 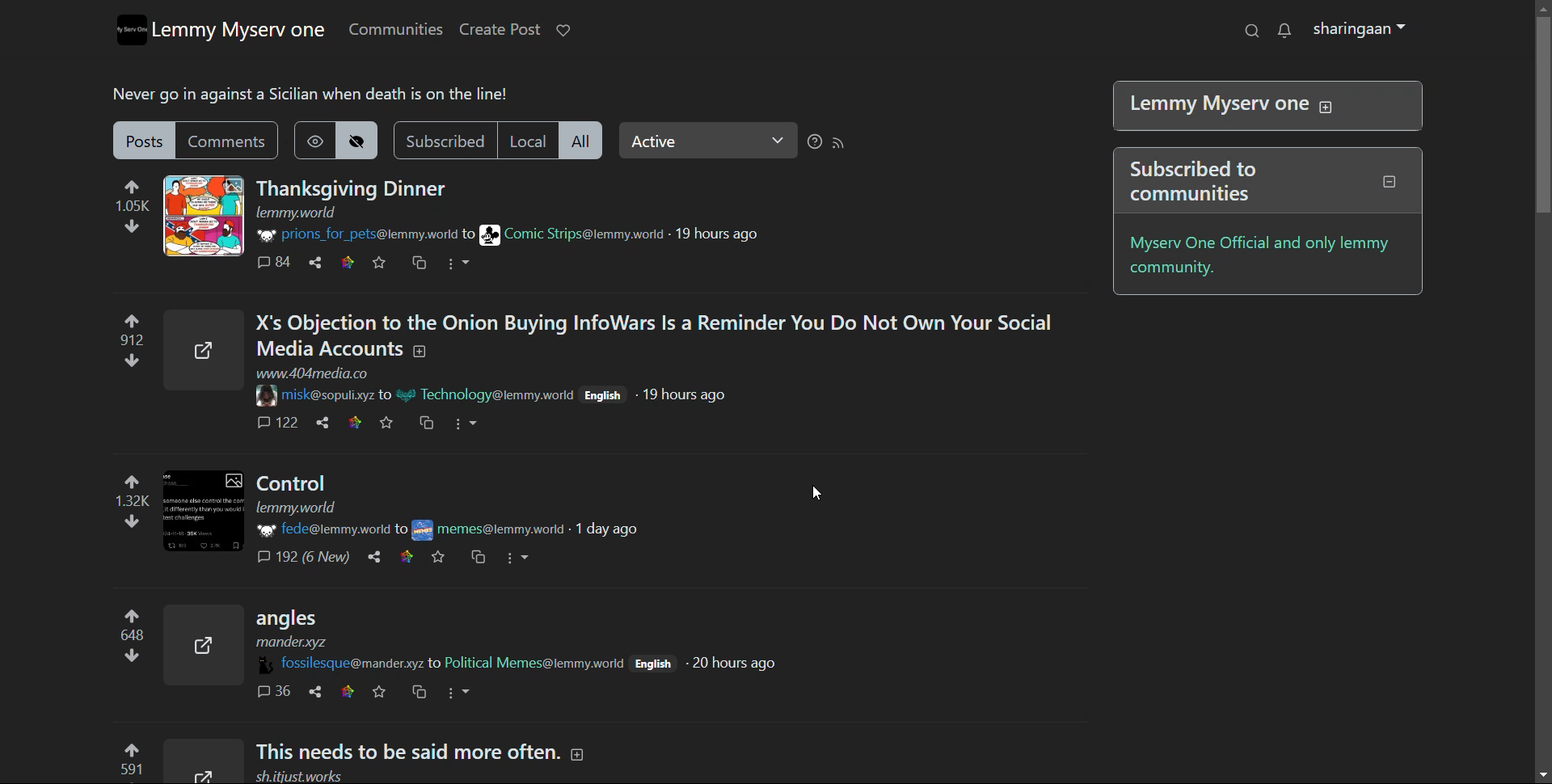 What do you see at coordinates (315, 529) in the screenshot?
I see `username` at bounding box center [315, 529].